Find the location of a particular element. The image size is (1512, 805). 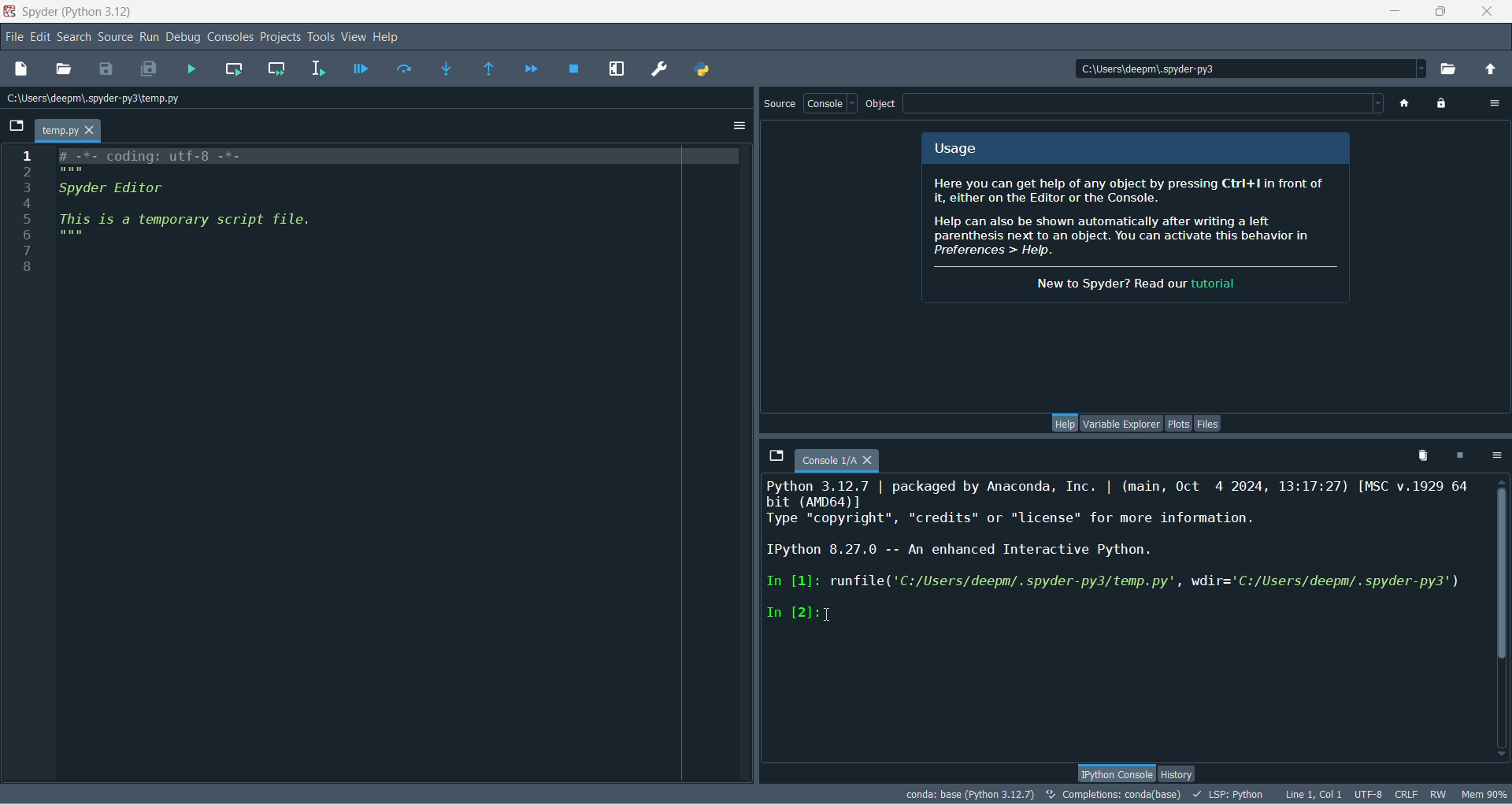

stop debugging is located at coordinates (576, 69).